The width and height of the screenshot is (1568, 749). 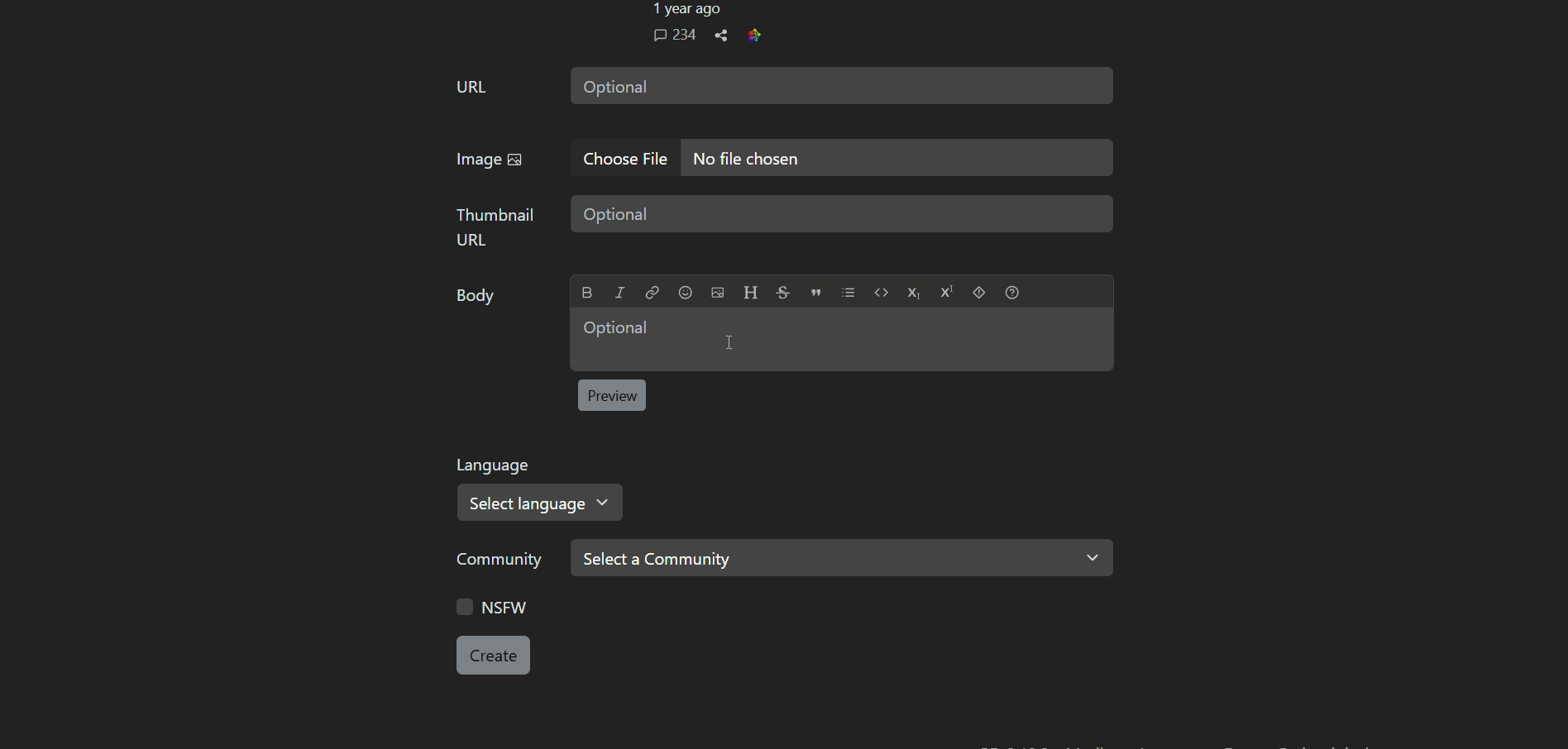 What do you see at coordinates (652, 293) in the screenshot?
I see `Link` at bounding box center [652, 293].